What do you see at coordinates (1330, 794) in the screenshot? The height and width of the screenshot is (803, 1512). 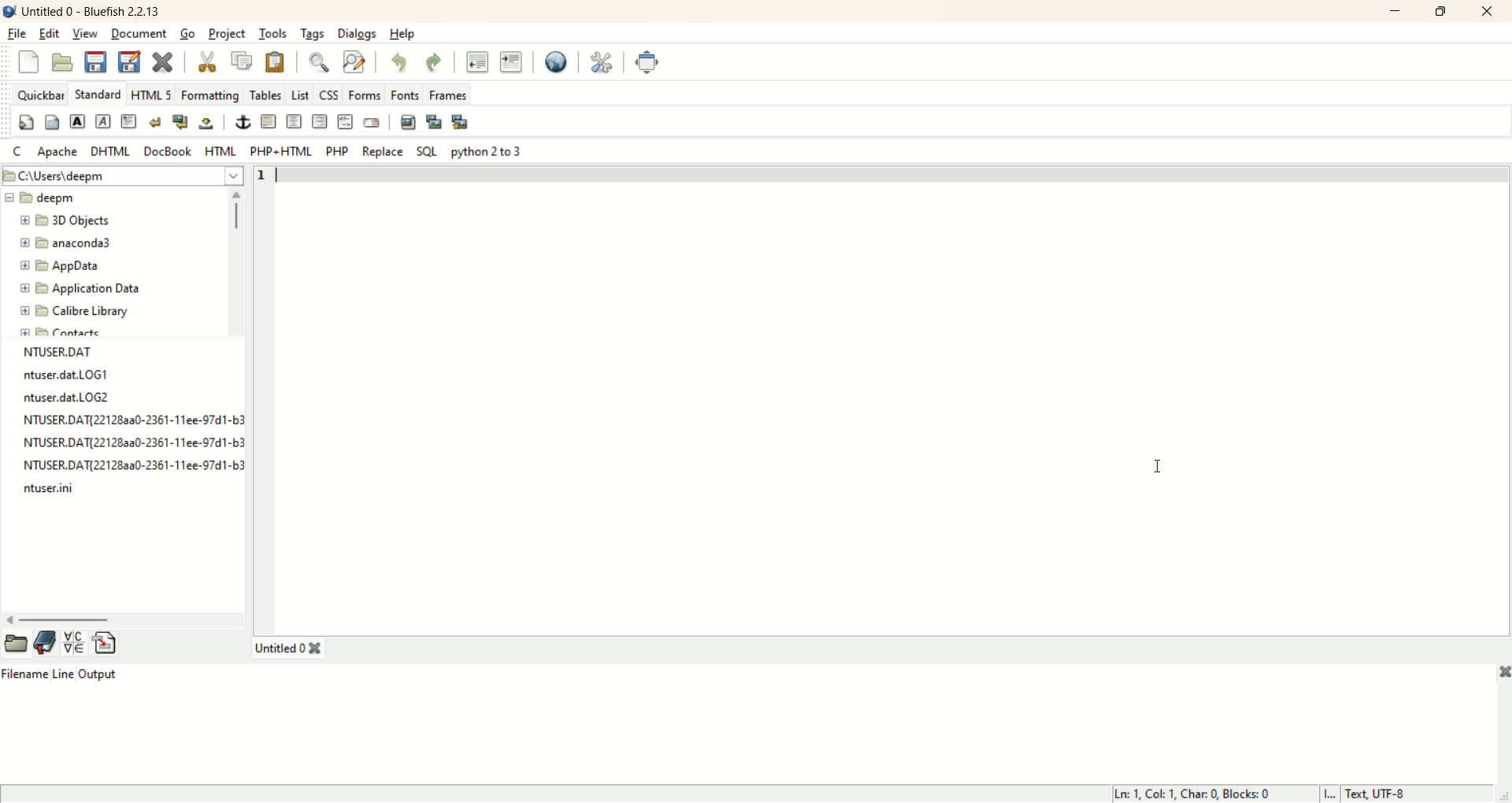 I see `I` at bounding box center [1330, 794].